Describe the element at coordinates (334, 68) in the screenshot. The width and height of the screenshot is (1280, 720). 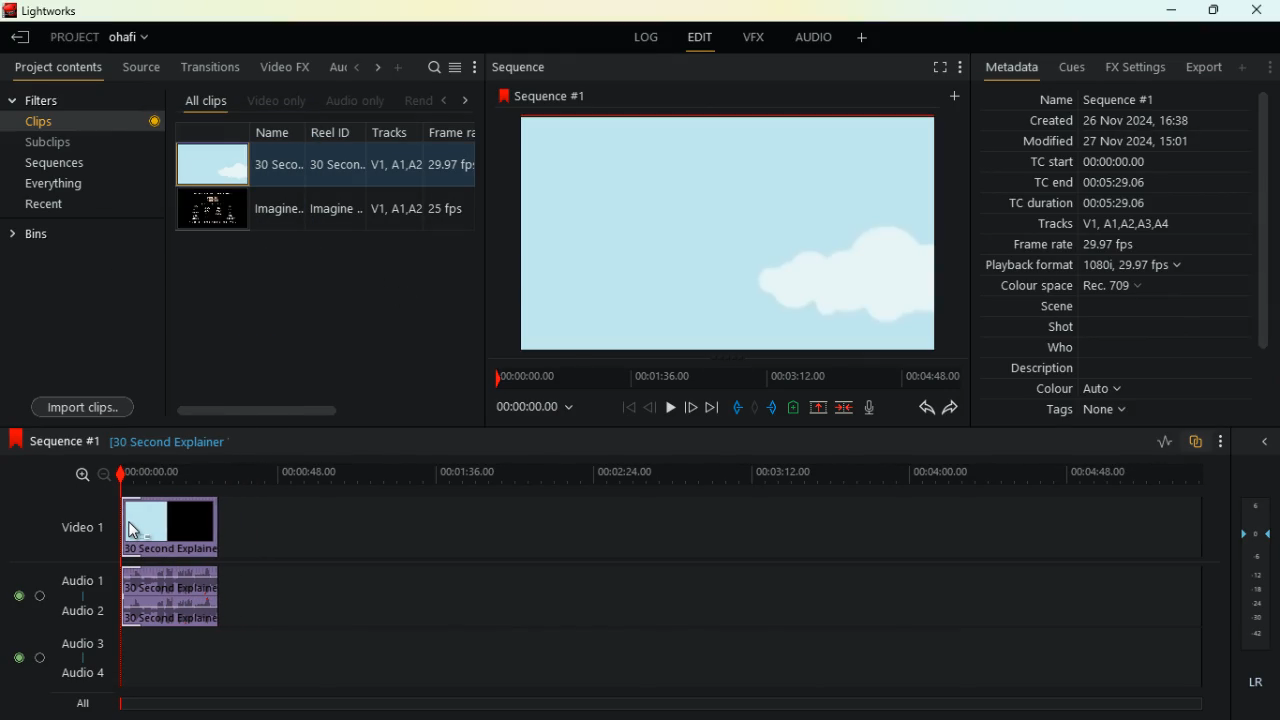
I see `au` at that location.